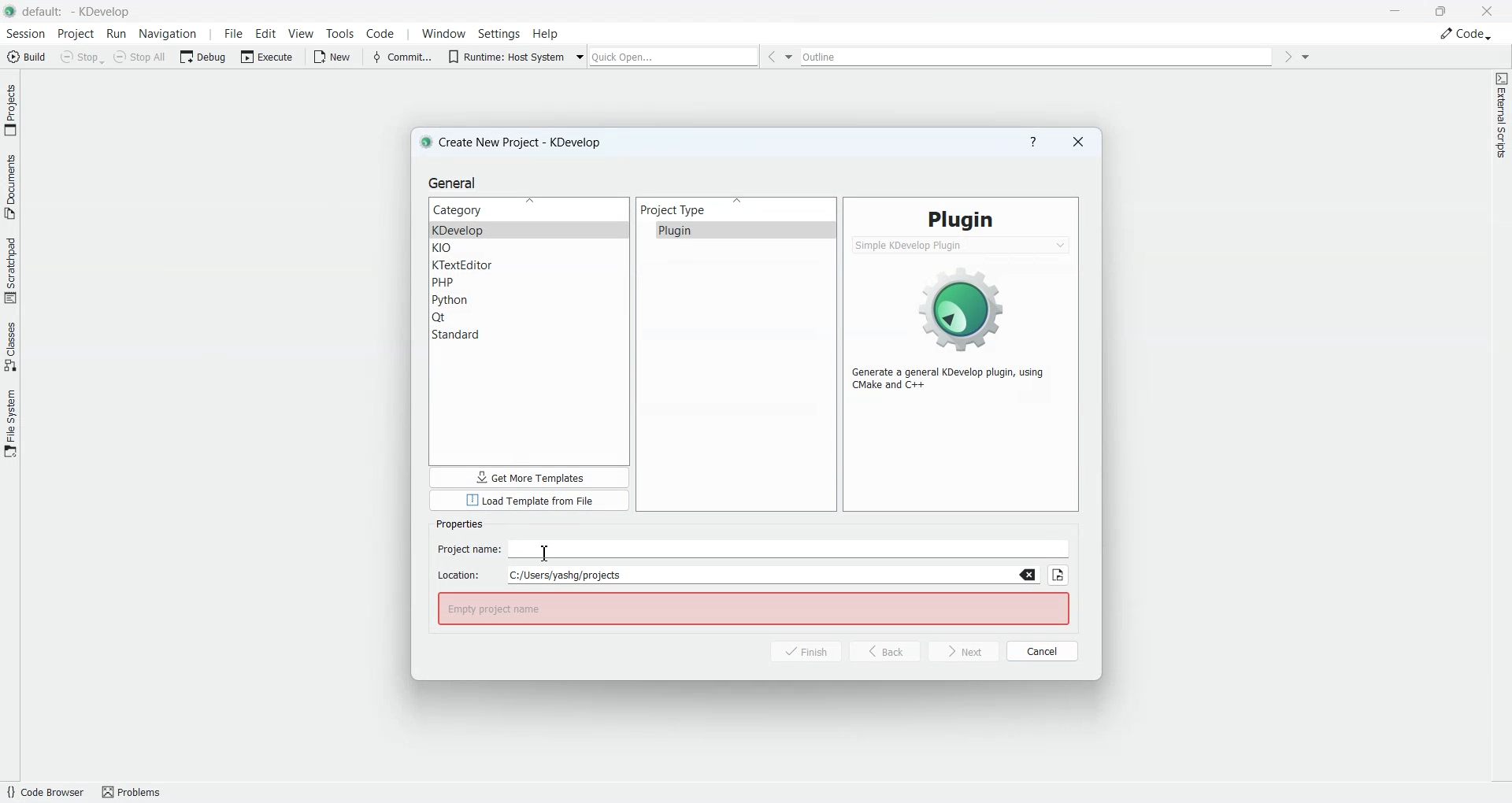 This screenshot has height=803, width=1512. What do you see at coordinates (441, 34) in the screenshot?
I see `Window` at bounding box center [441, 34].